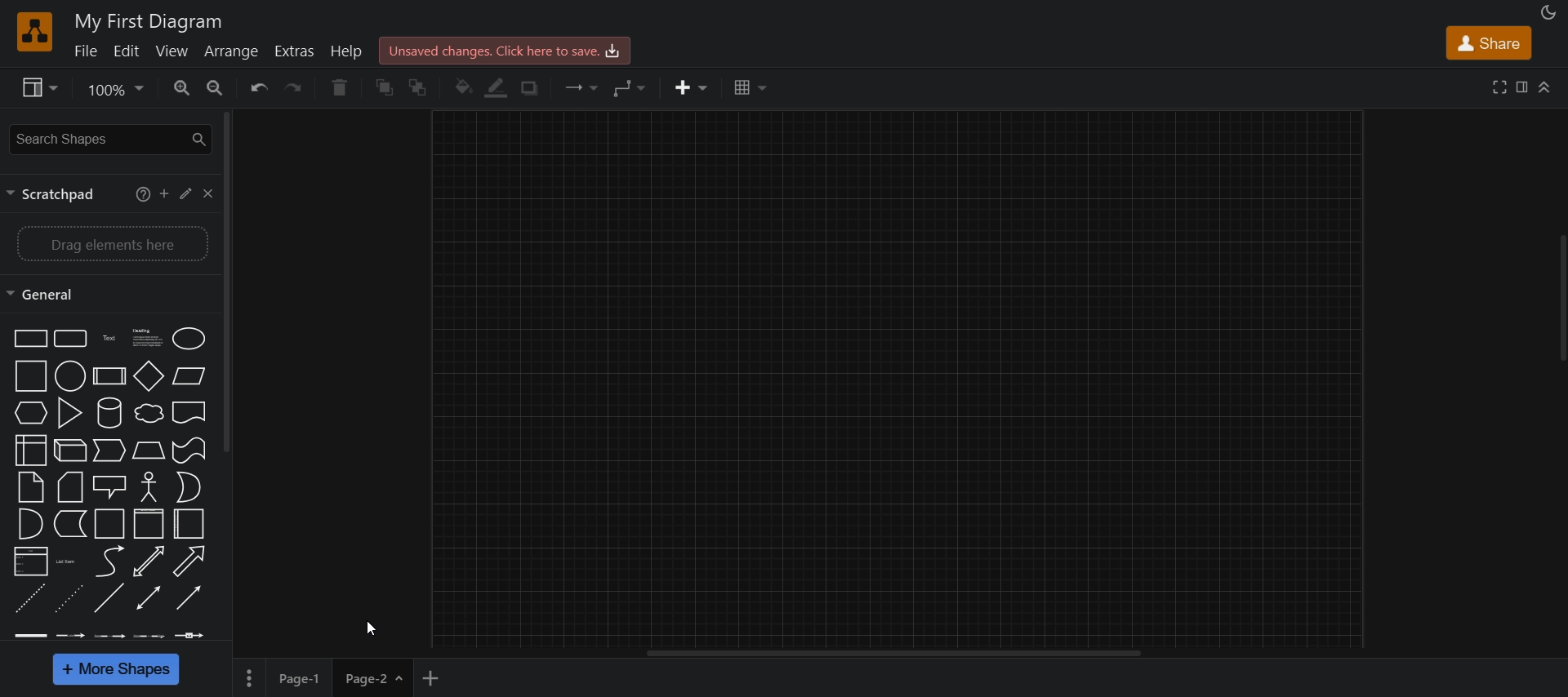 This screenshot has width=1568, height=697. Describe the element at coordinates (300, 51) in the screenshot. I see `extras` at that location.